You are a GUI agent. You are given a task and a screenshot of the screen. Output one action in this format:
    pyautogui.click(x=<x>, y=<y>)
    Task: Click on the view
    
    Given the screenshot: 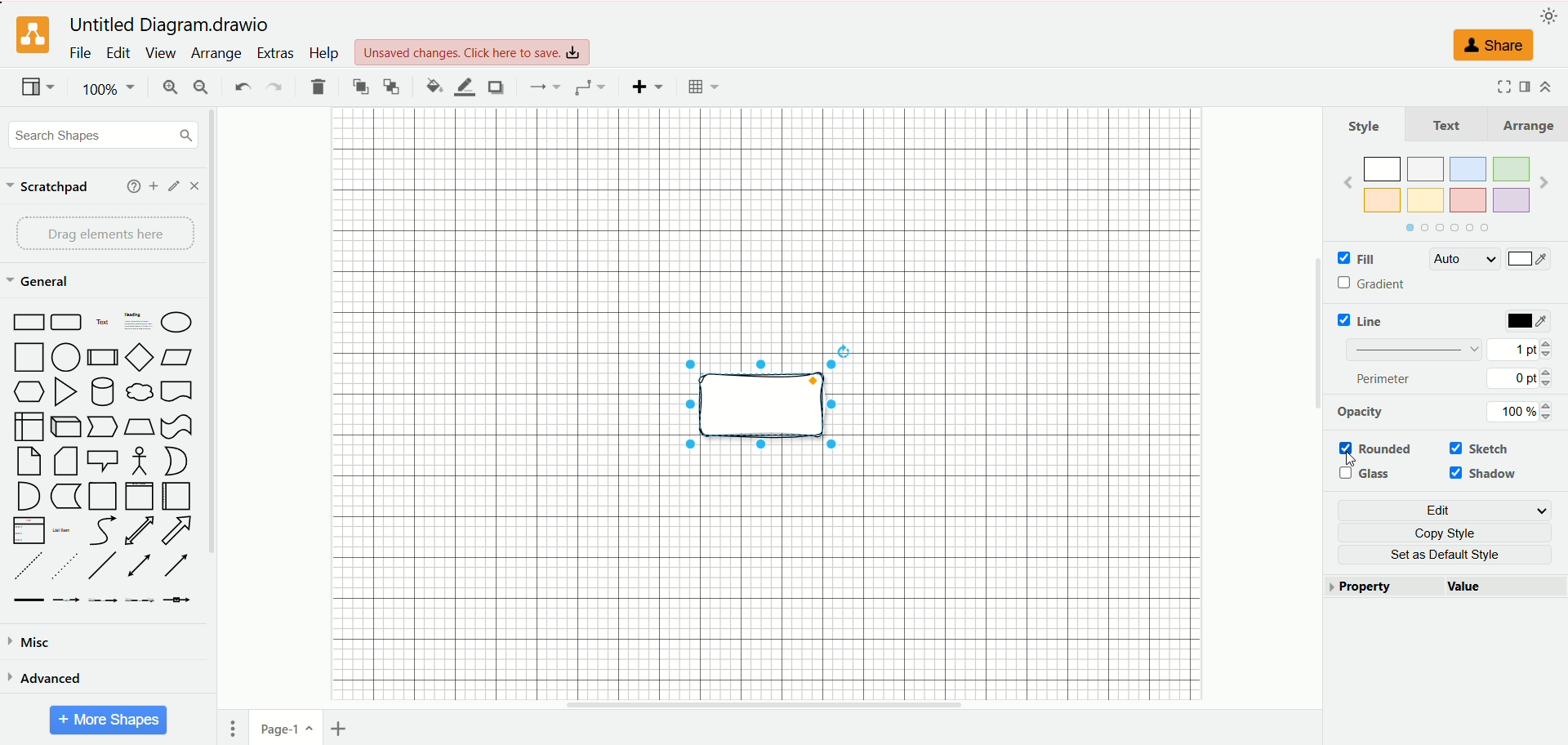 What is the action you would take?
    pyautogui.click(x=159, y=53)
    